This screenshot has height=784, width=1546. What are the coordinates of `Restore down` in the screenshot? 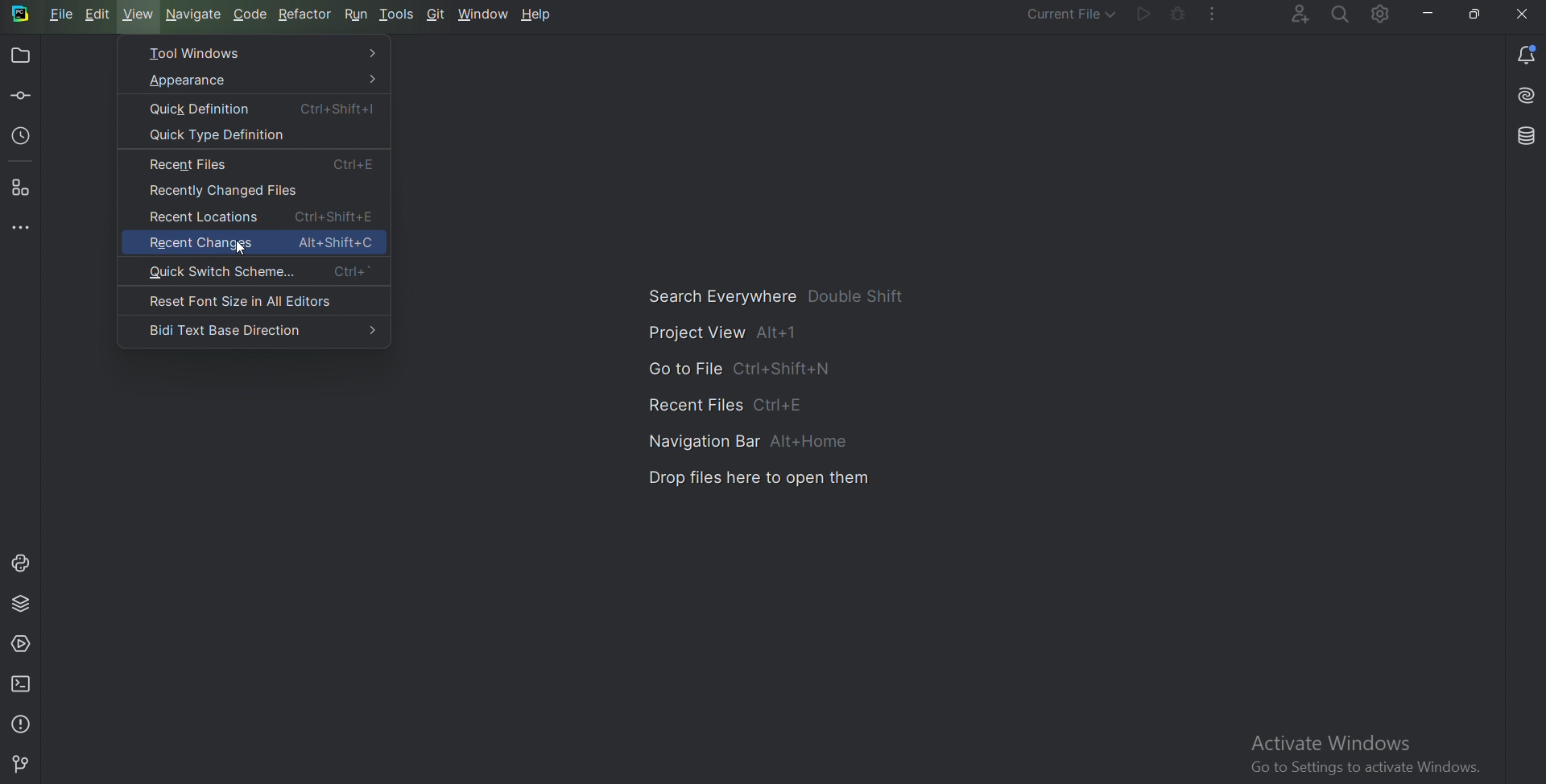 It's located at (1476, 15).